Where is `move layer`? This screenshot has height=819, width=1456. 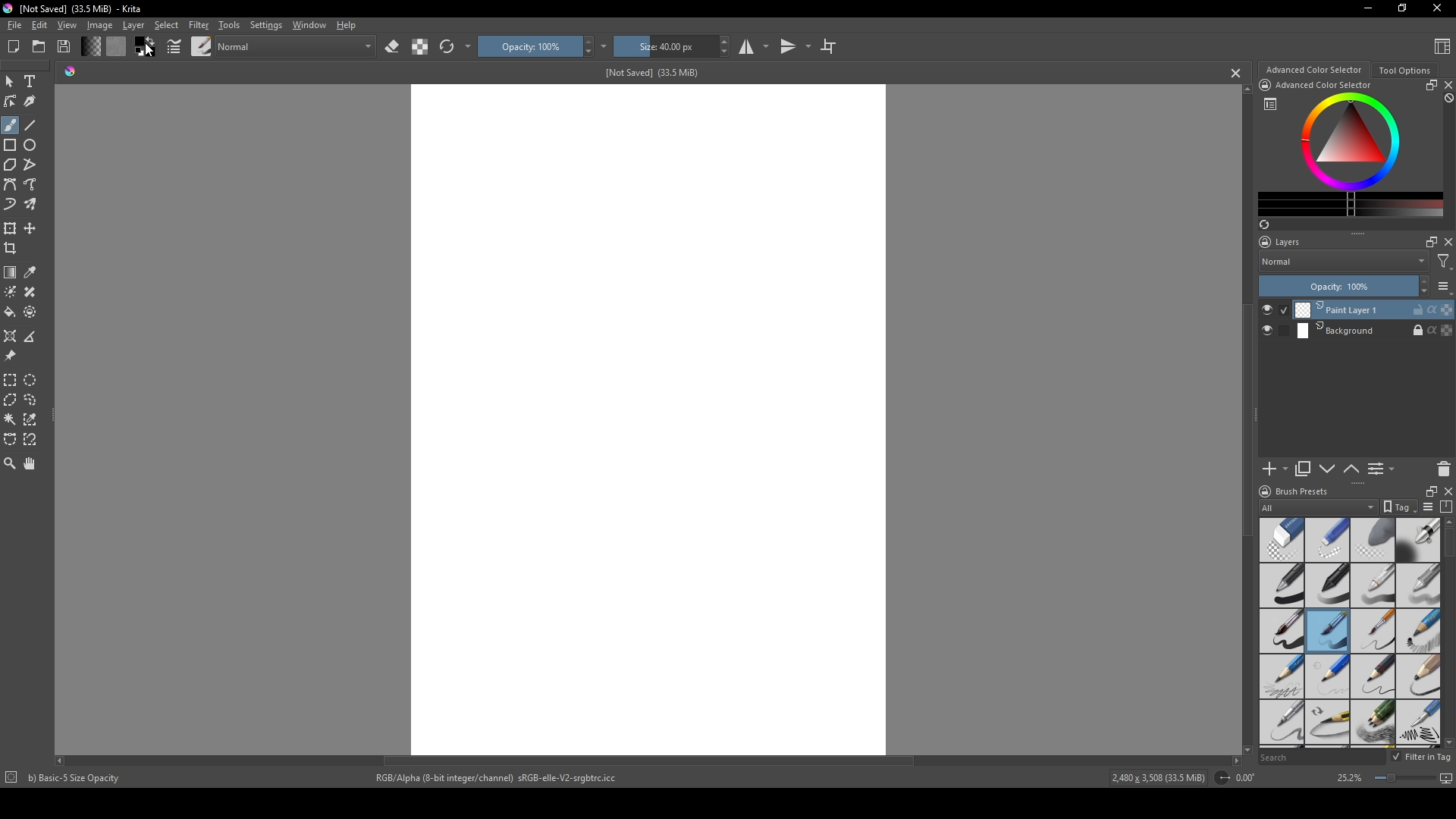
move layer is located at coordinates (30, 228).